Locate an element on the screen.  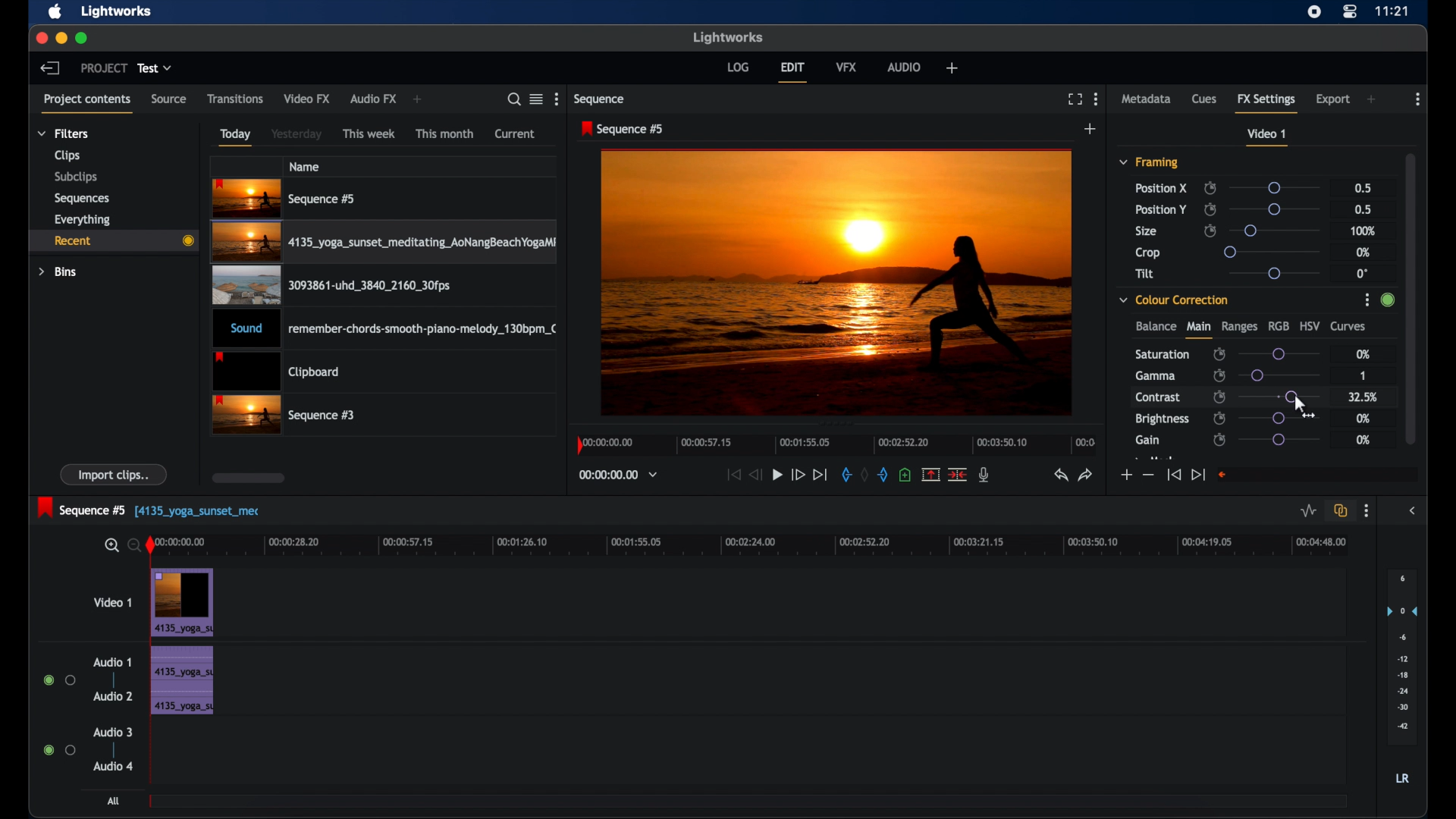
color correction is located at coordinates (1174, 300).